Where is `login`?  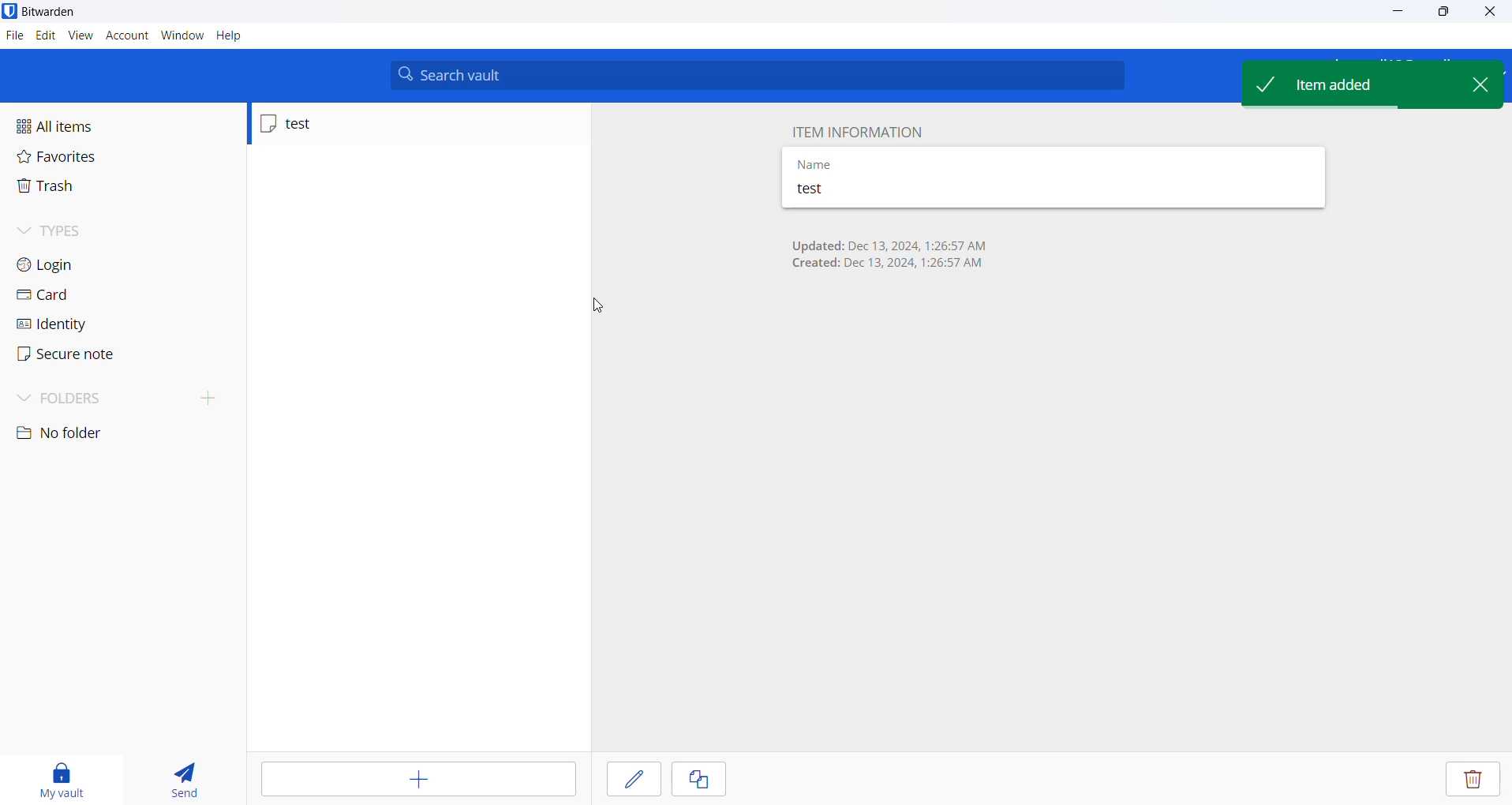 login is located at coordinates (80, 263).